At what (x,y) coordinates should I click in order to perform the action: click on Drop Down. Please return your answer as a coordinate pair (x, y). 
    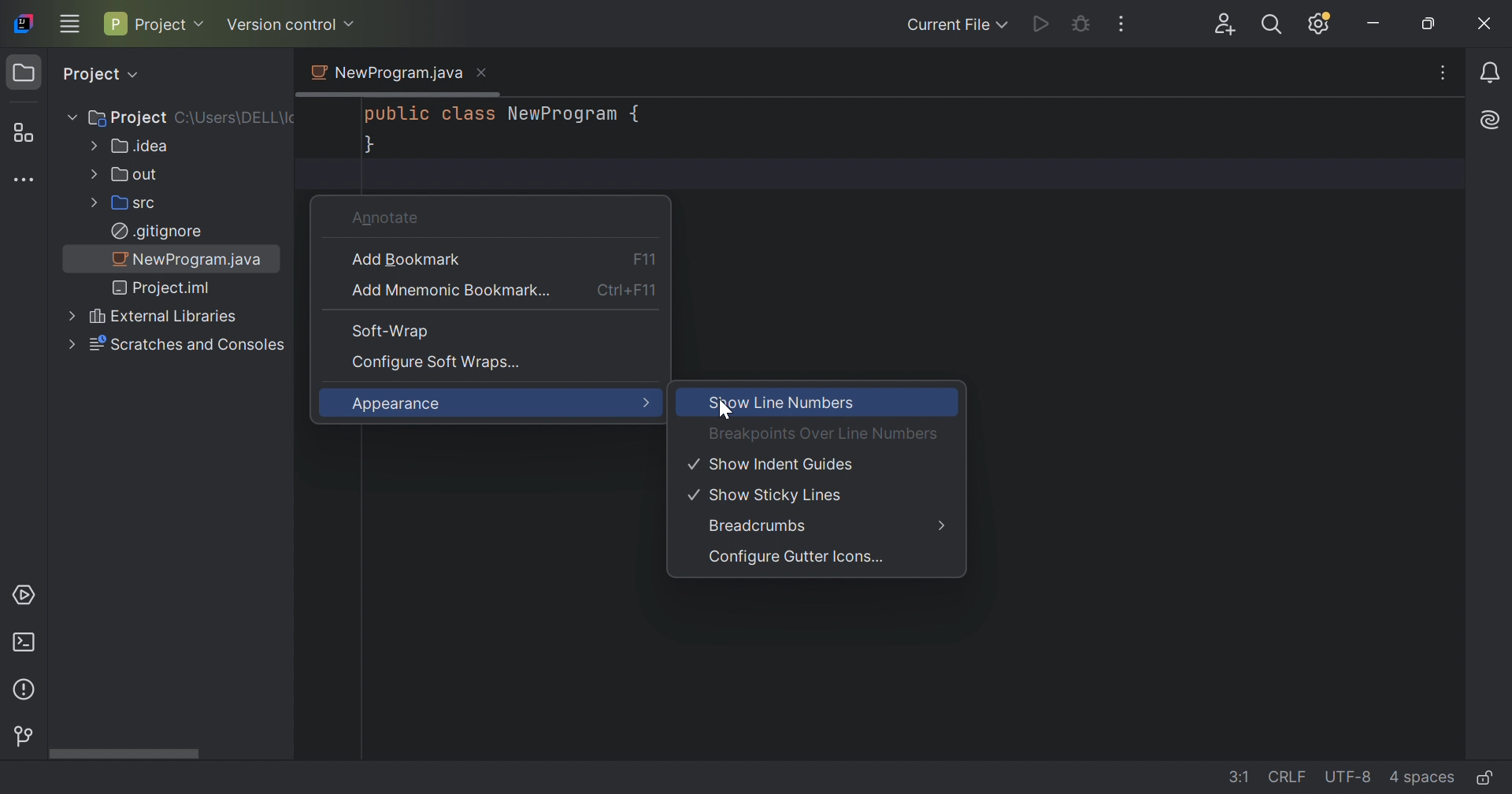
    Looking at the image, I should click on (350, 24).